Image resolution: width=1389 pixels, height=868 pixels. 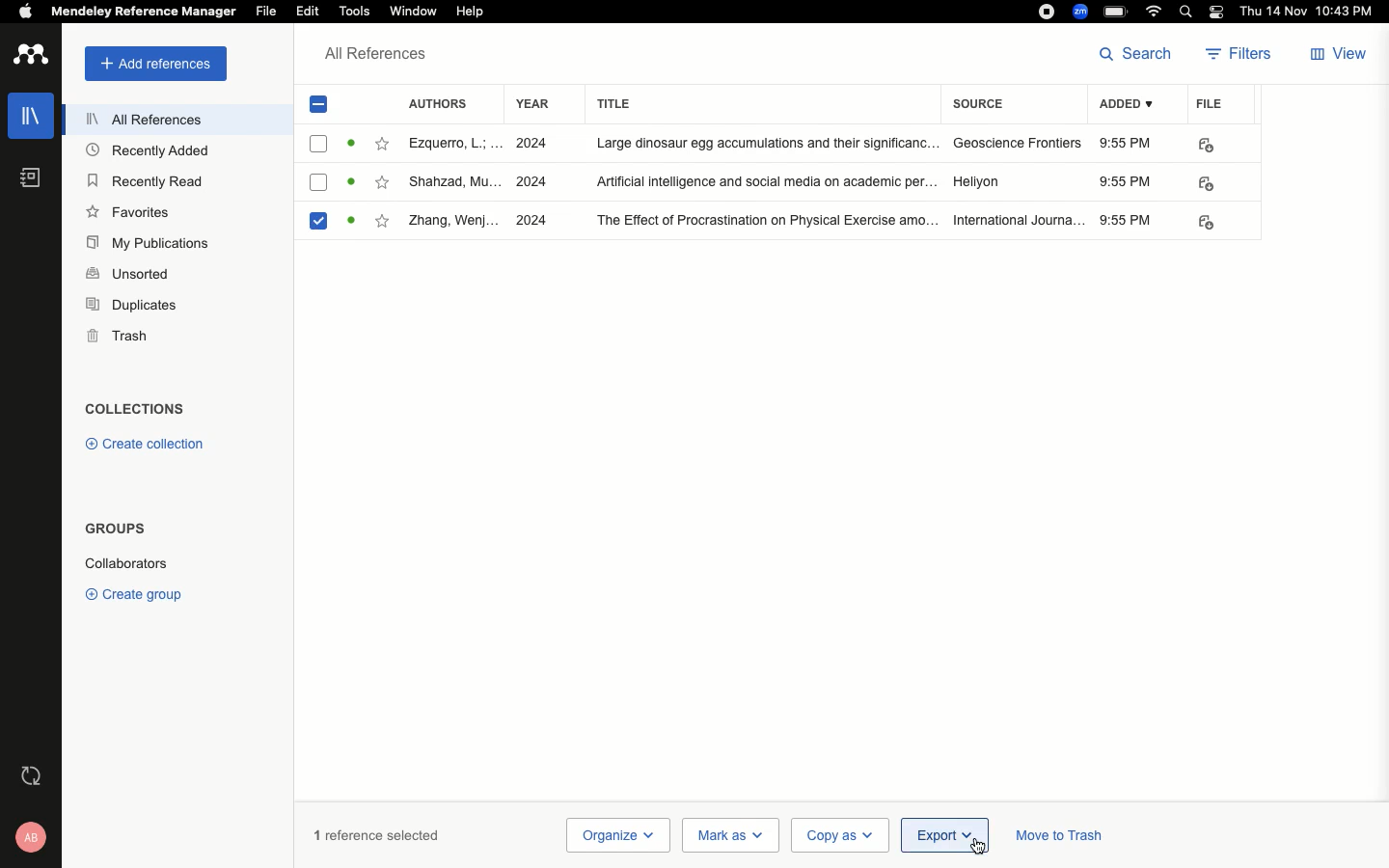 What do you see at coordinates (730, 835) in the screenshot?
I see `Mark as` at bounding box center [730, 835].